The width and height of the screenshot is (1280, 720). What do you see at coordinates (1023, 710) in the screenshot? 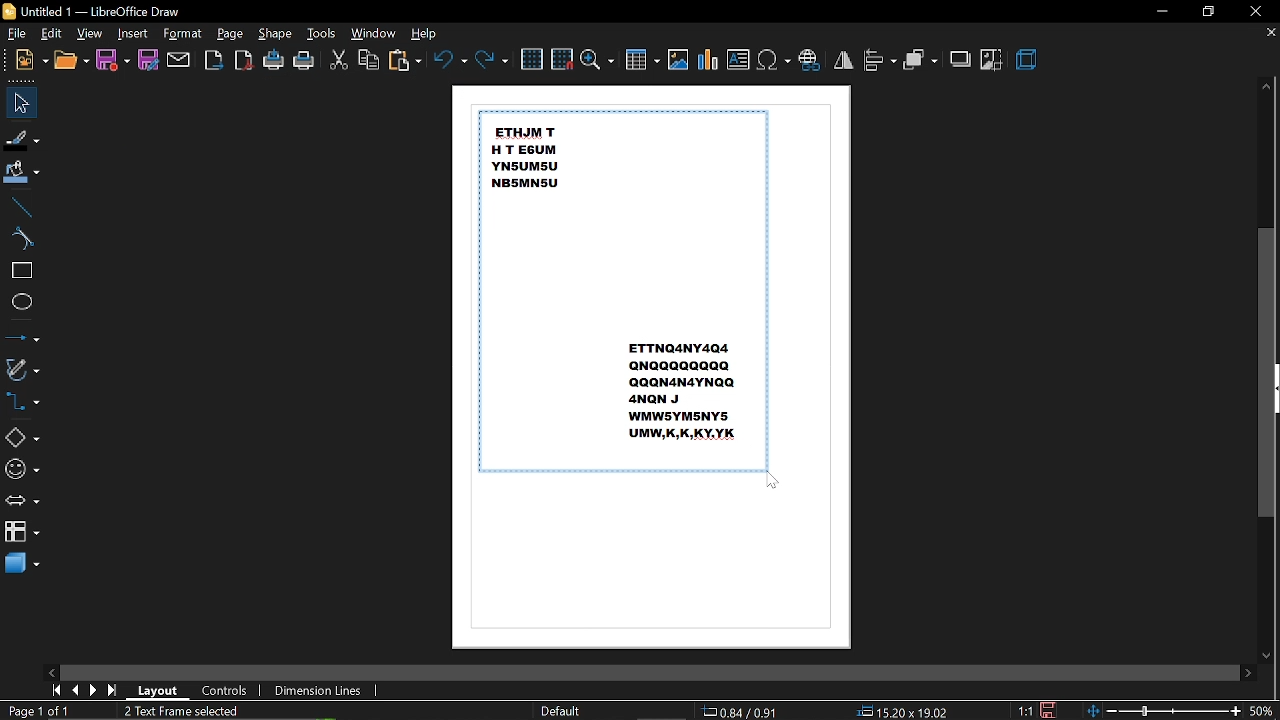
I see `1:1` at bounding box center [1023, 710].